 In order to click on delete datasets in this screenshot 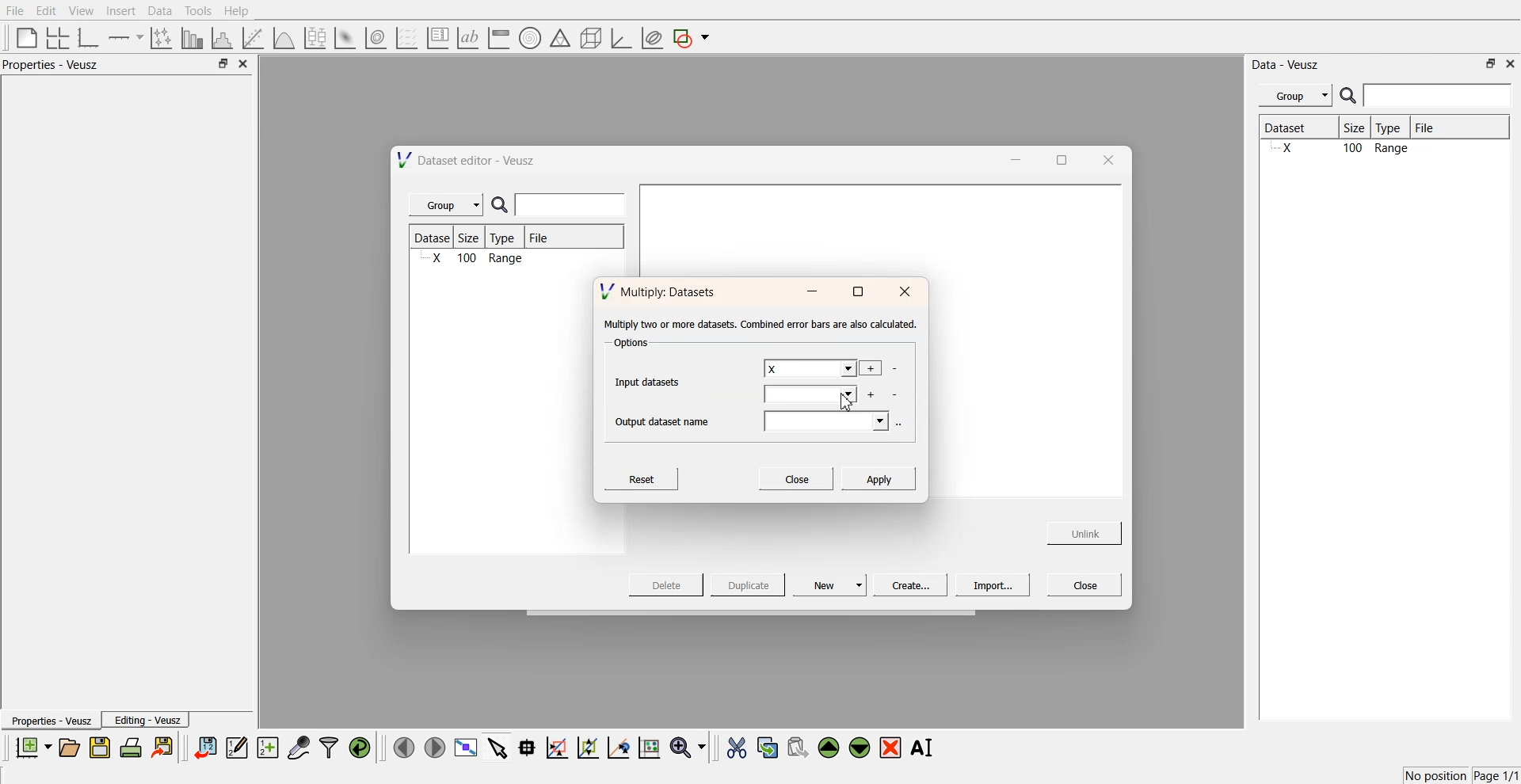, I will do `click(896, 395)`.